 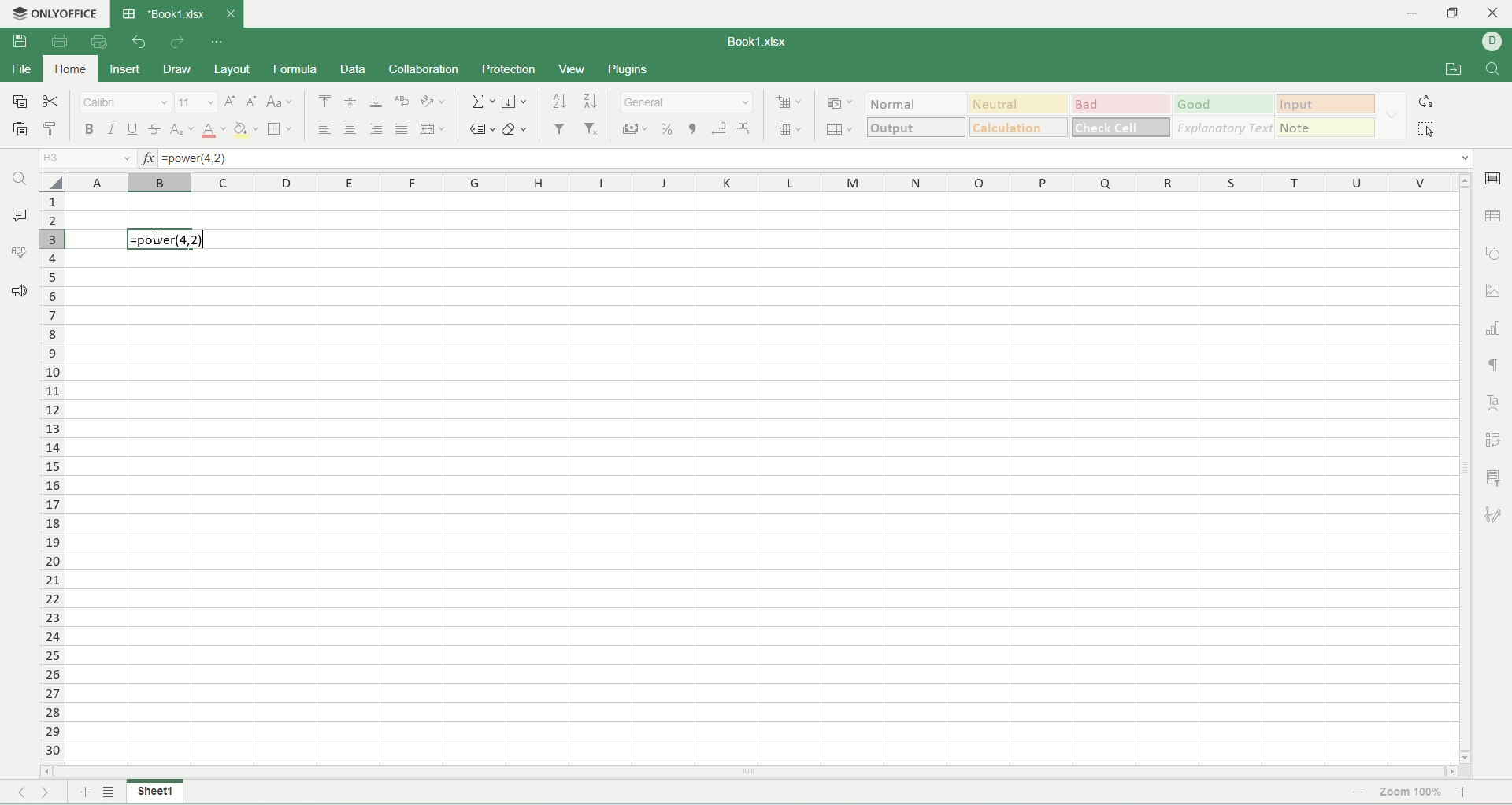 What do you see at coordinates (788, 126) in the screenshot?
I see `delete cells` at bounding box center [788, 126].